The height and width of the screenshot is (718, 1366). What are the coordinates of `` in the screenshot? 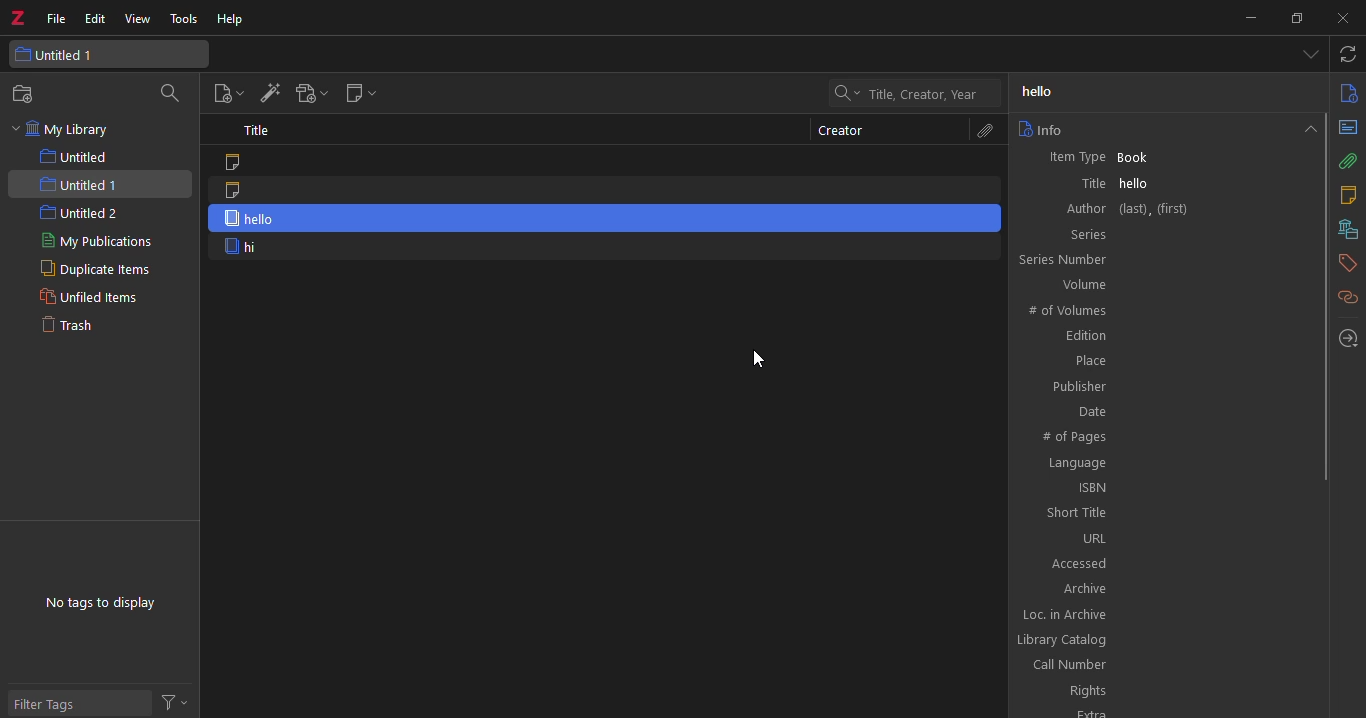 It's located at (1161, 710).